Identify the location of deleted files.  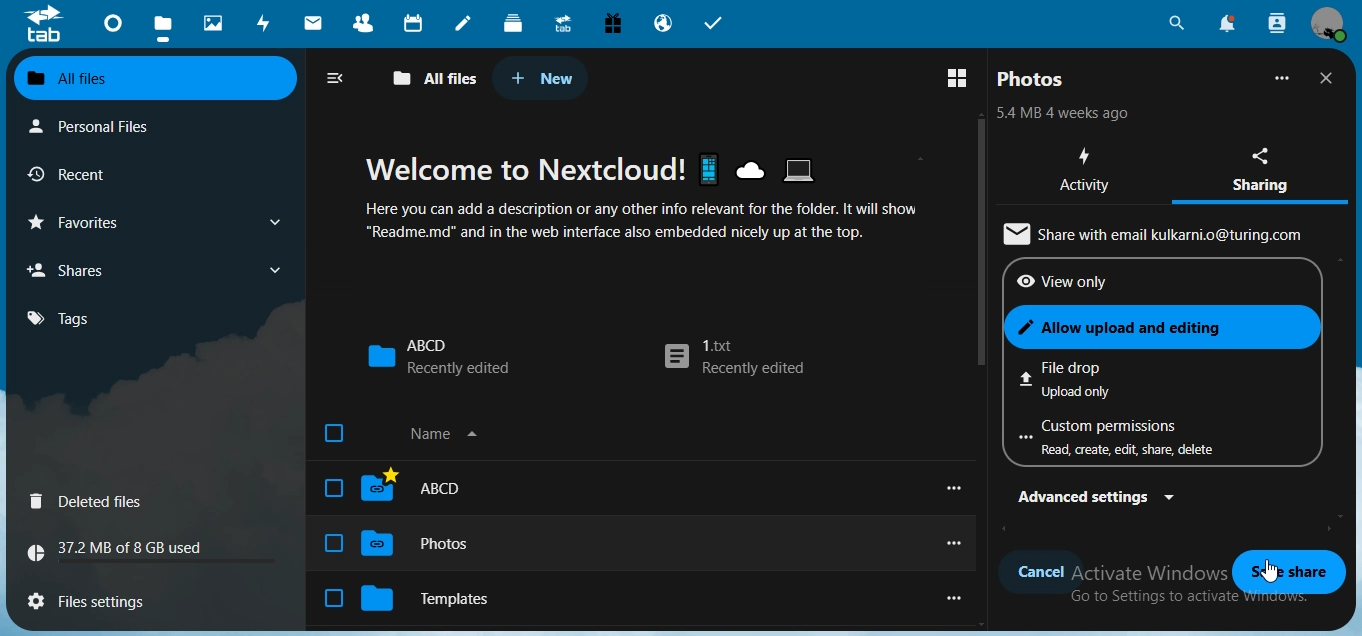
(91, 503).